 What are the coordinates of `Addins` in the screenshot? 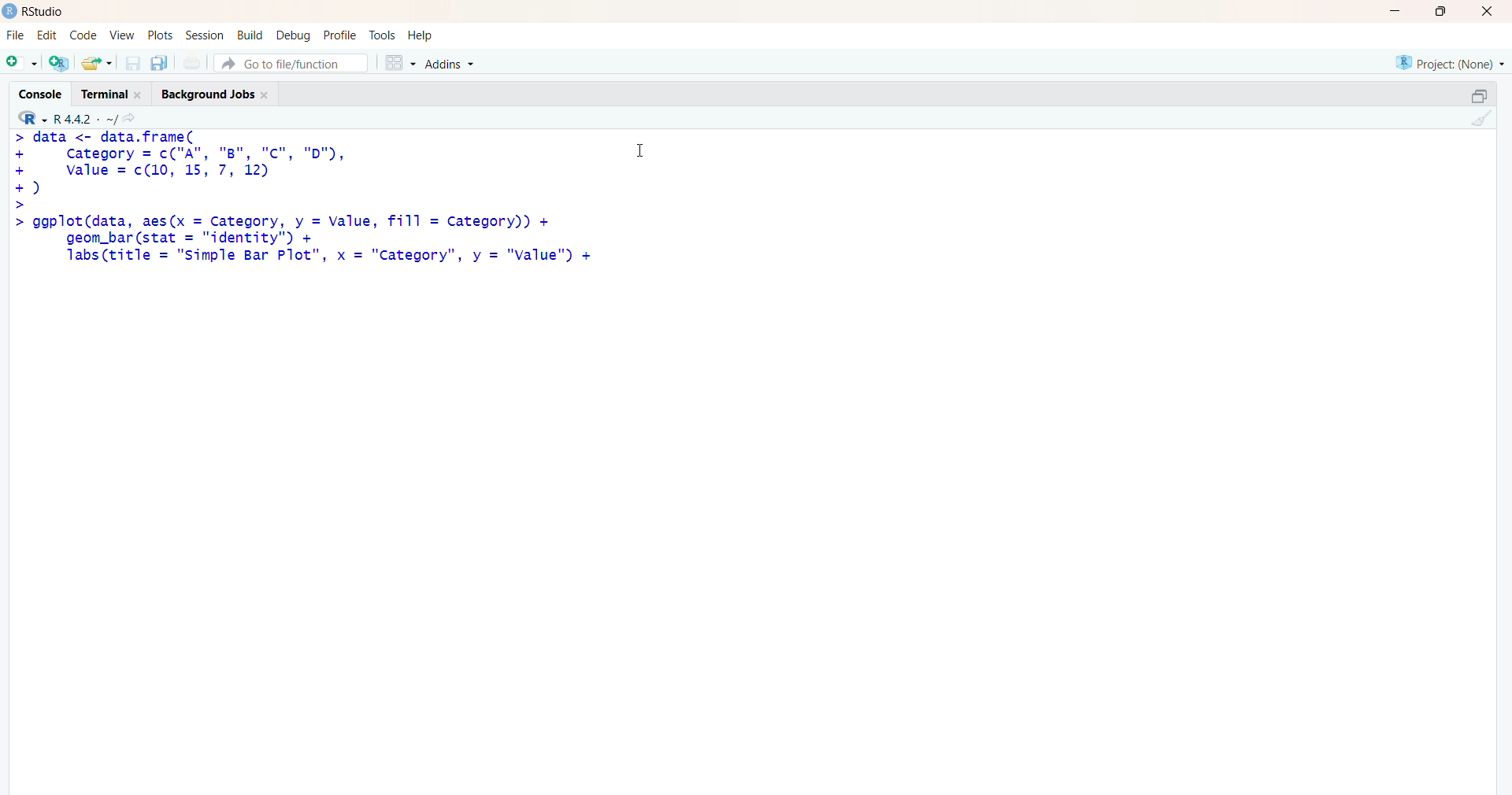 It's located at (453, 65).